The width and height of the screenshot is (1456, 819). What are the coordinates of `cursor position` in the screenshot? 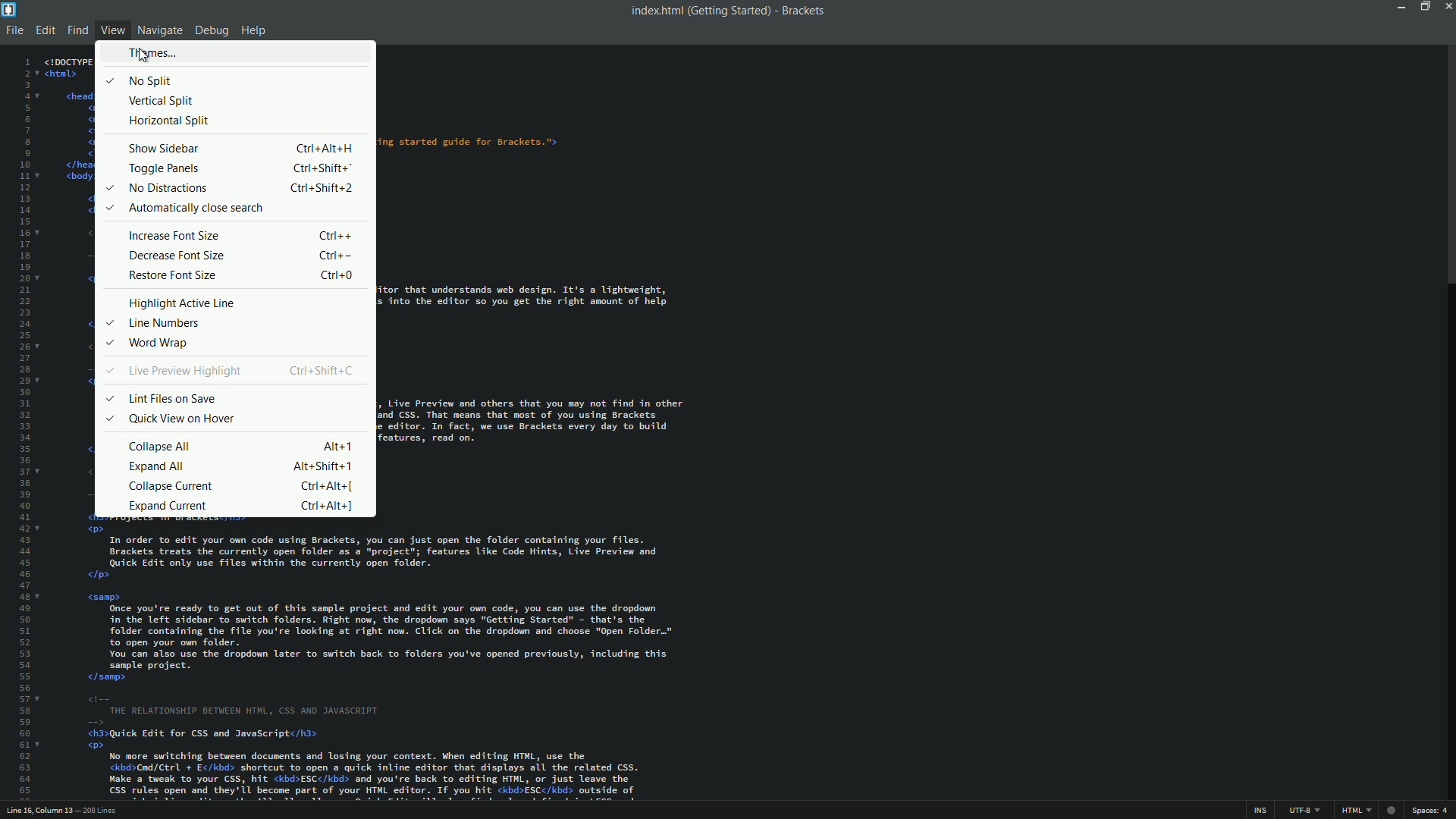 It's located at (41, 811).